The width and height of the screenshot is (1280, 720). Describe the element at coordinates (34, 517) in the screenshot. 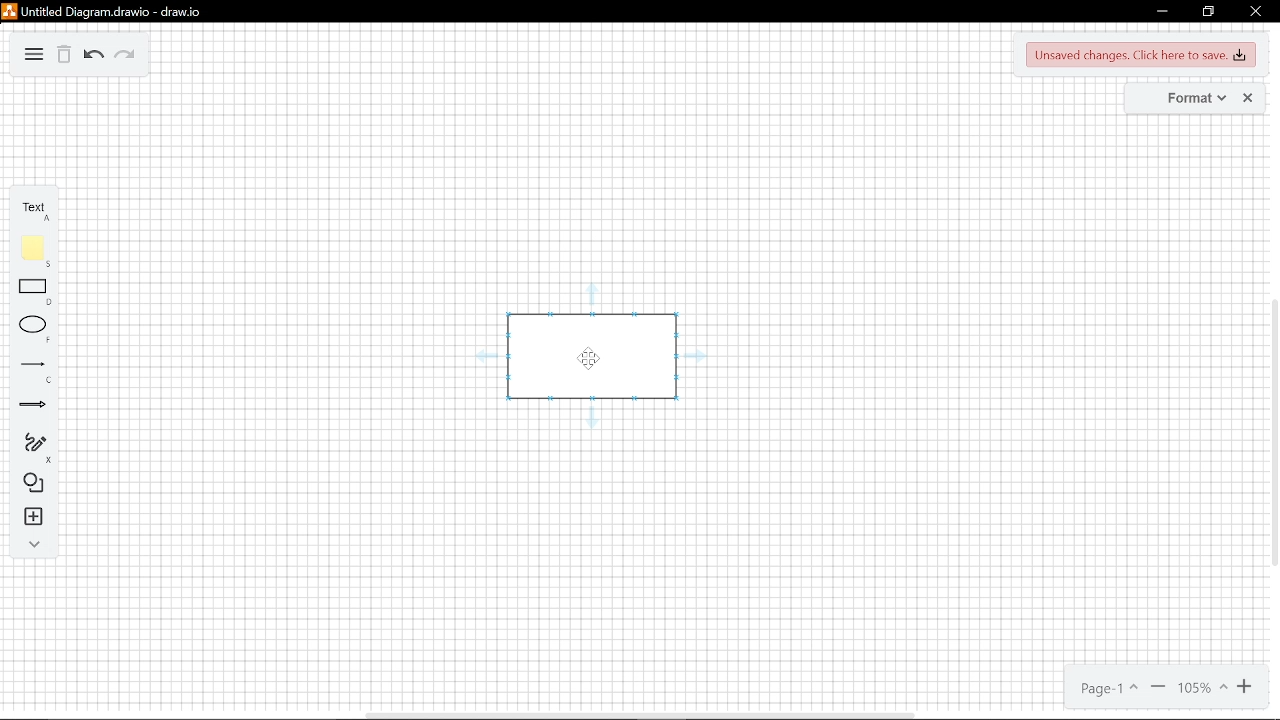

I see `insert` at that location.